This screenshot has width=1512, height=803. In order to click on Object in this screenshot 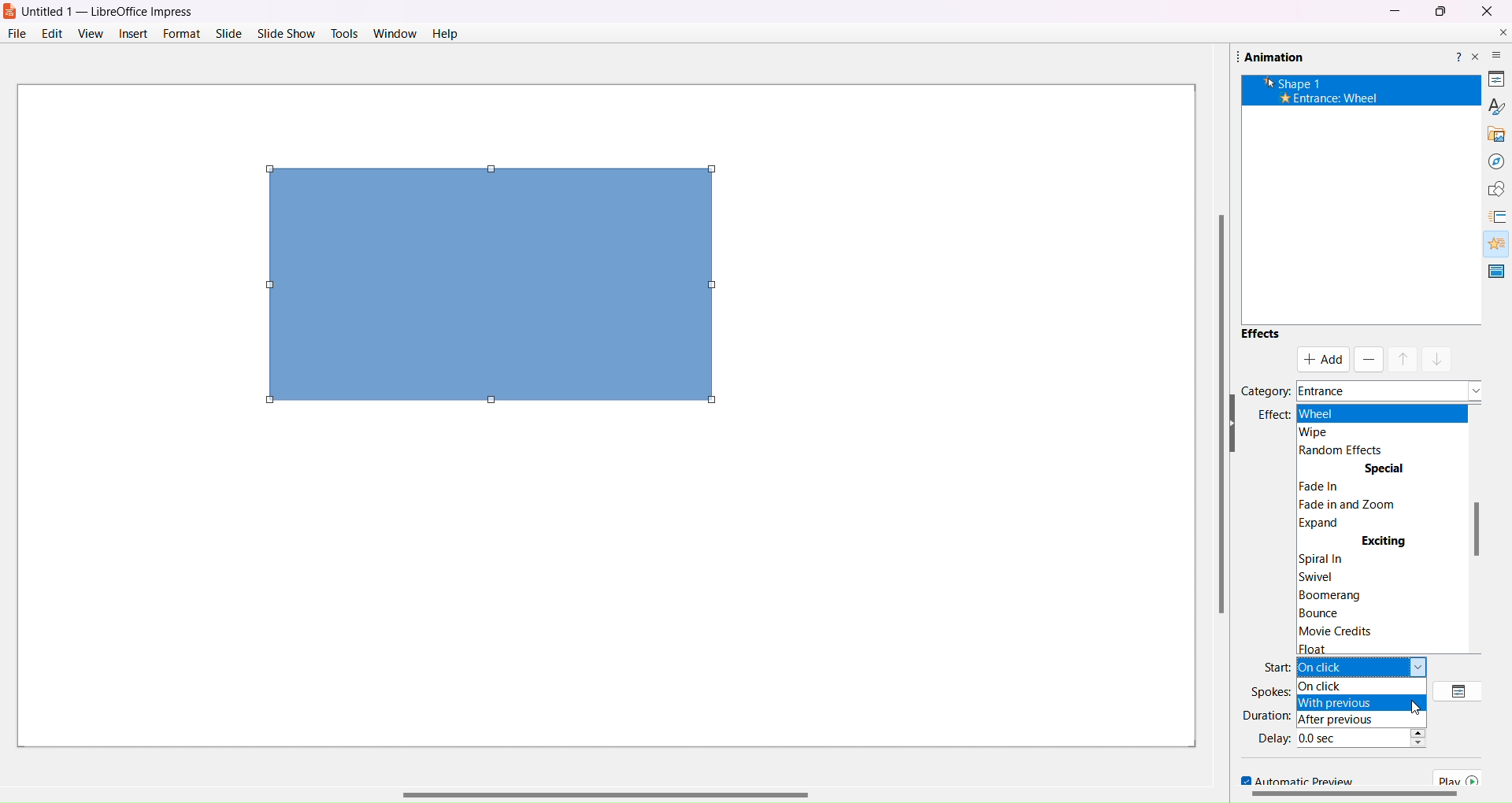, I will do `click(490, 286)`.